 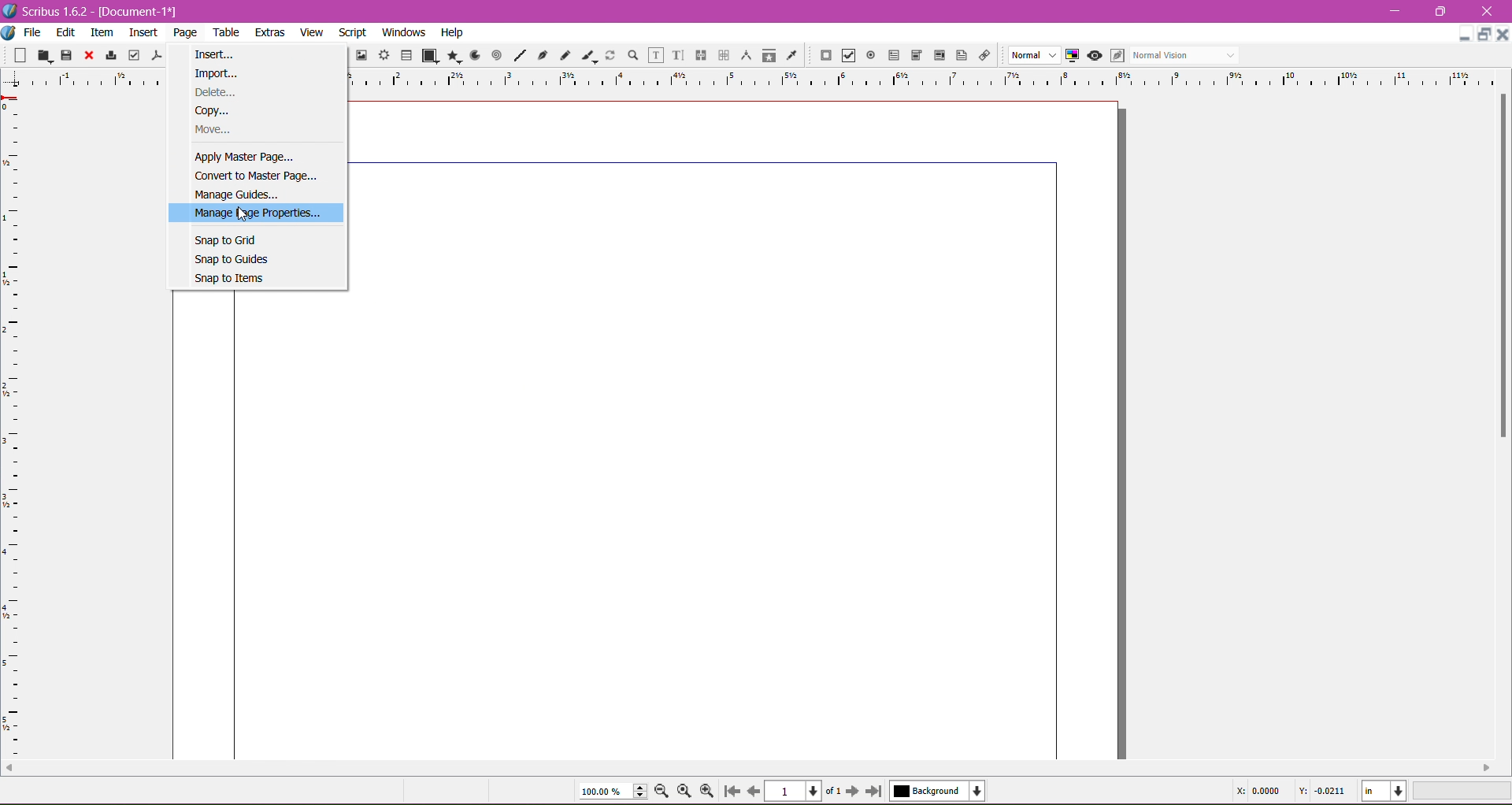 What do you see at coordinates (407, 54) in the screenshot?
I see `Table` at bounding box center [407, 54].